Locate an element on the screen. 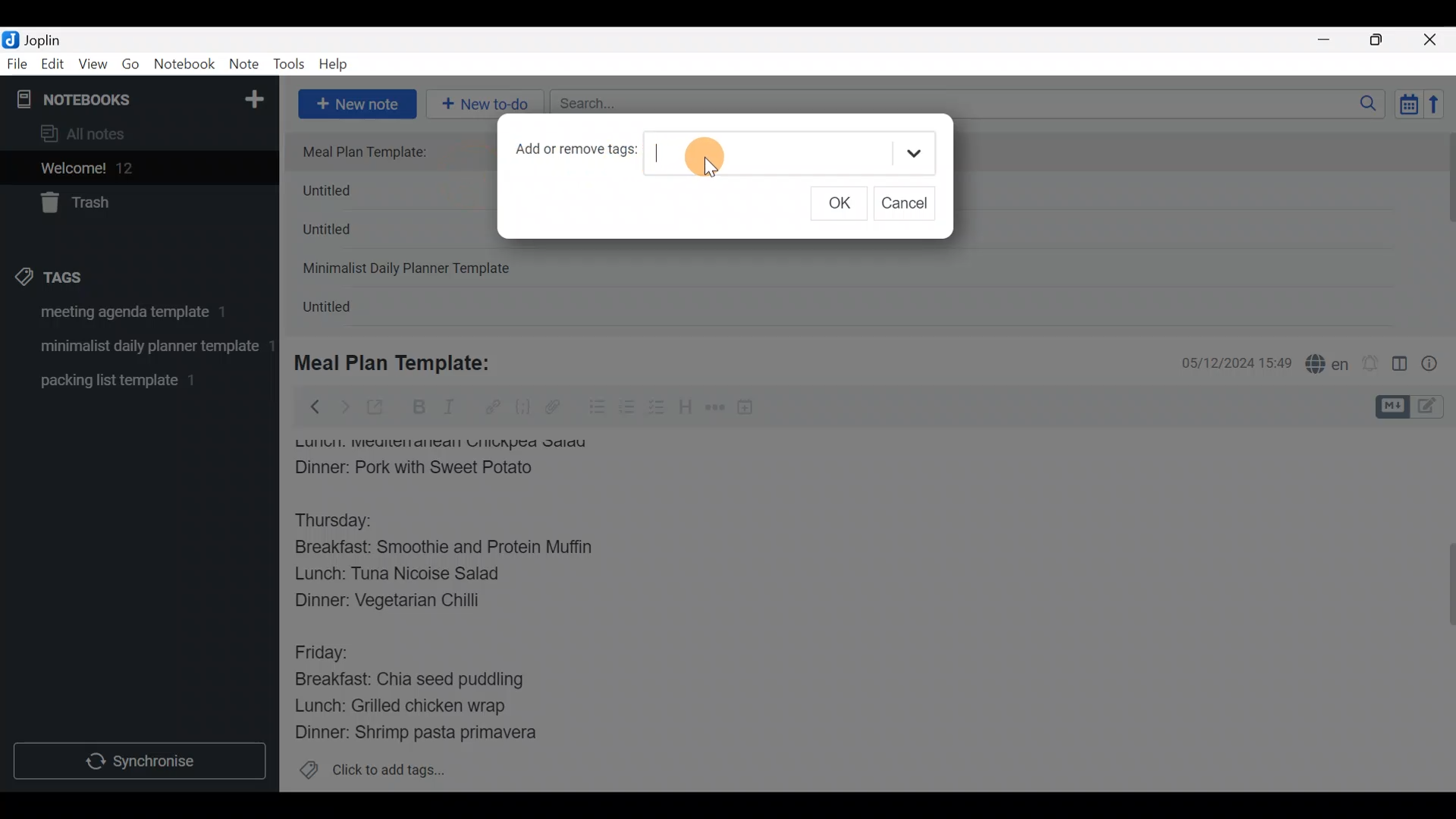 This screenshot has height=819, width=1456. New to-do is located at coordinates (488, 102).